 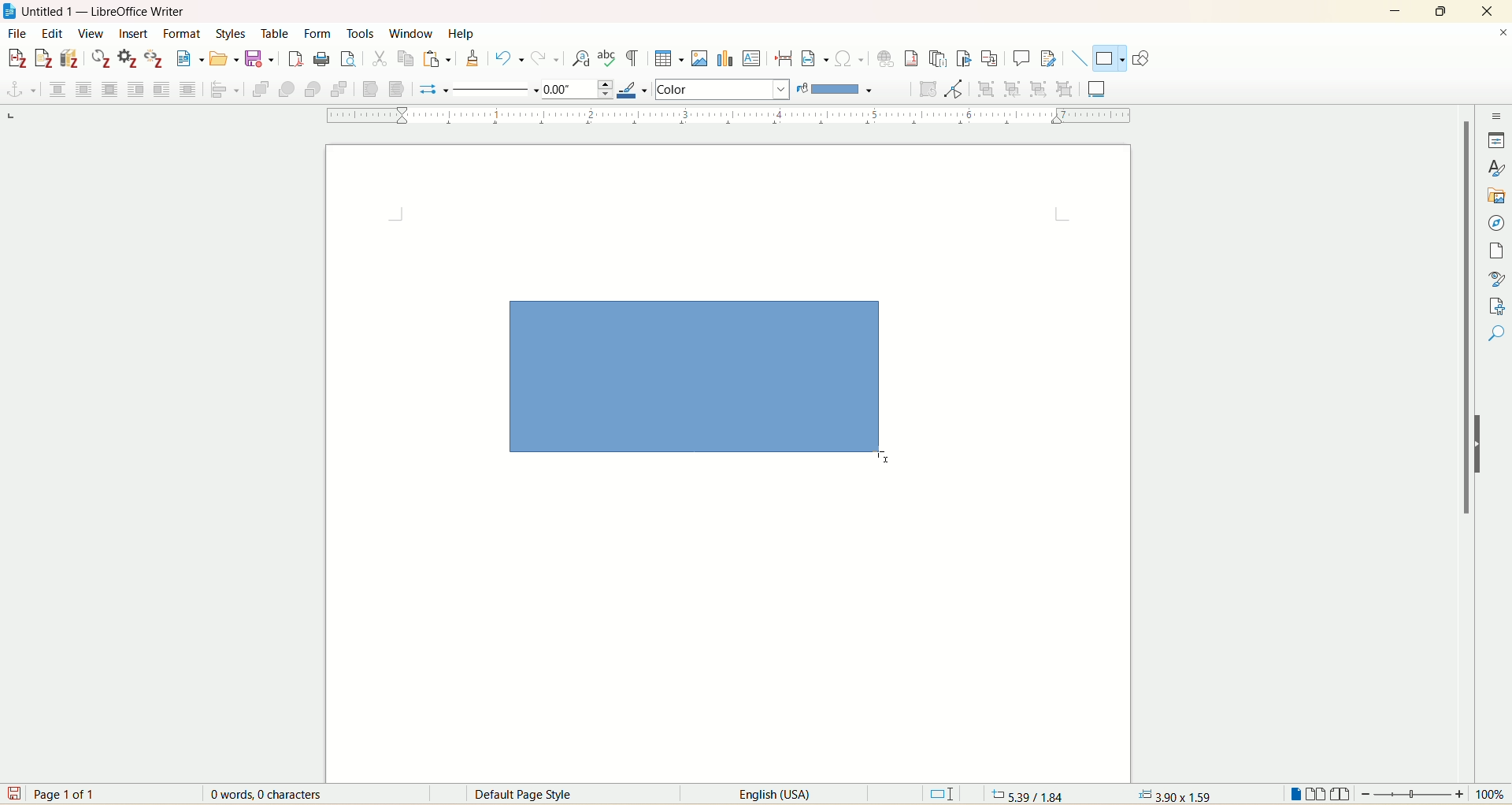 What do you see at coordinates (815, 57) in the screenshot?
I see `insert field ` at bounding box center [815, 57].